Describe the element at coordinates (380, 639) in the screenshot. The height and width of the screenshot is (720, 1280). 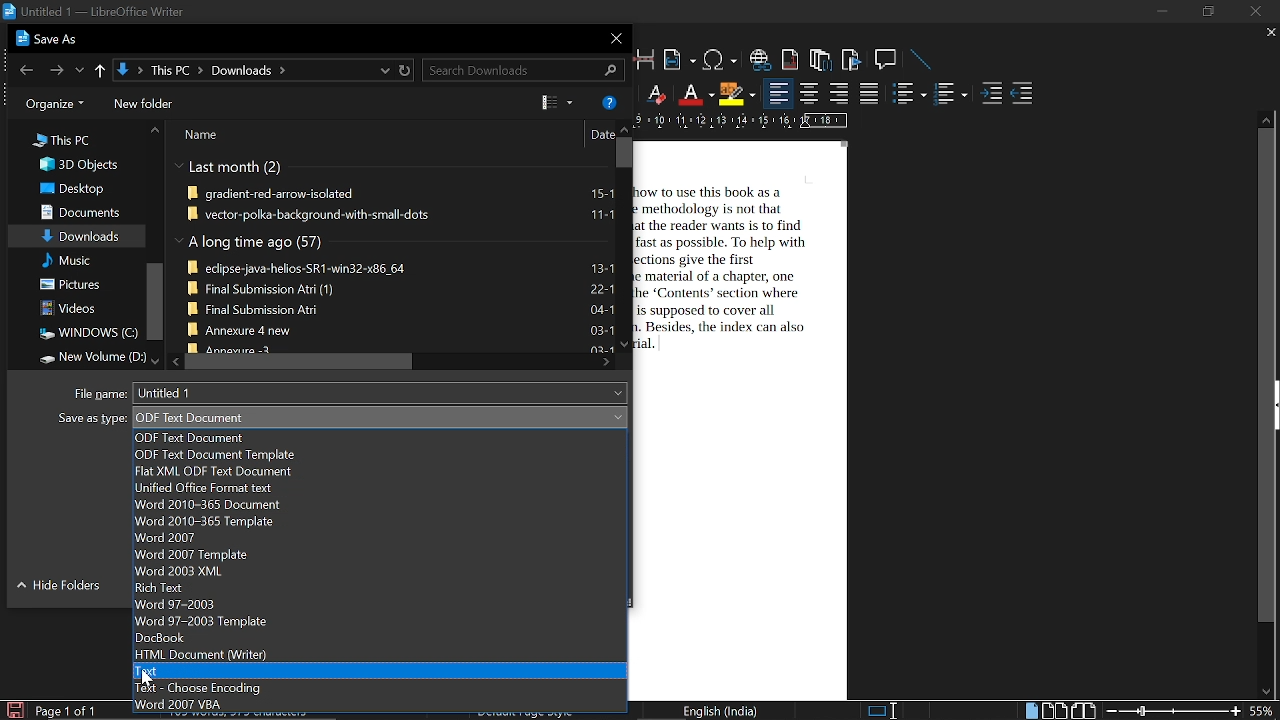
I see `docbook` at that location.